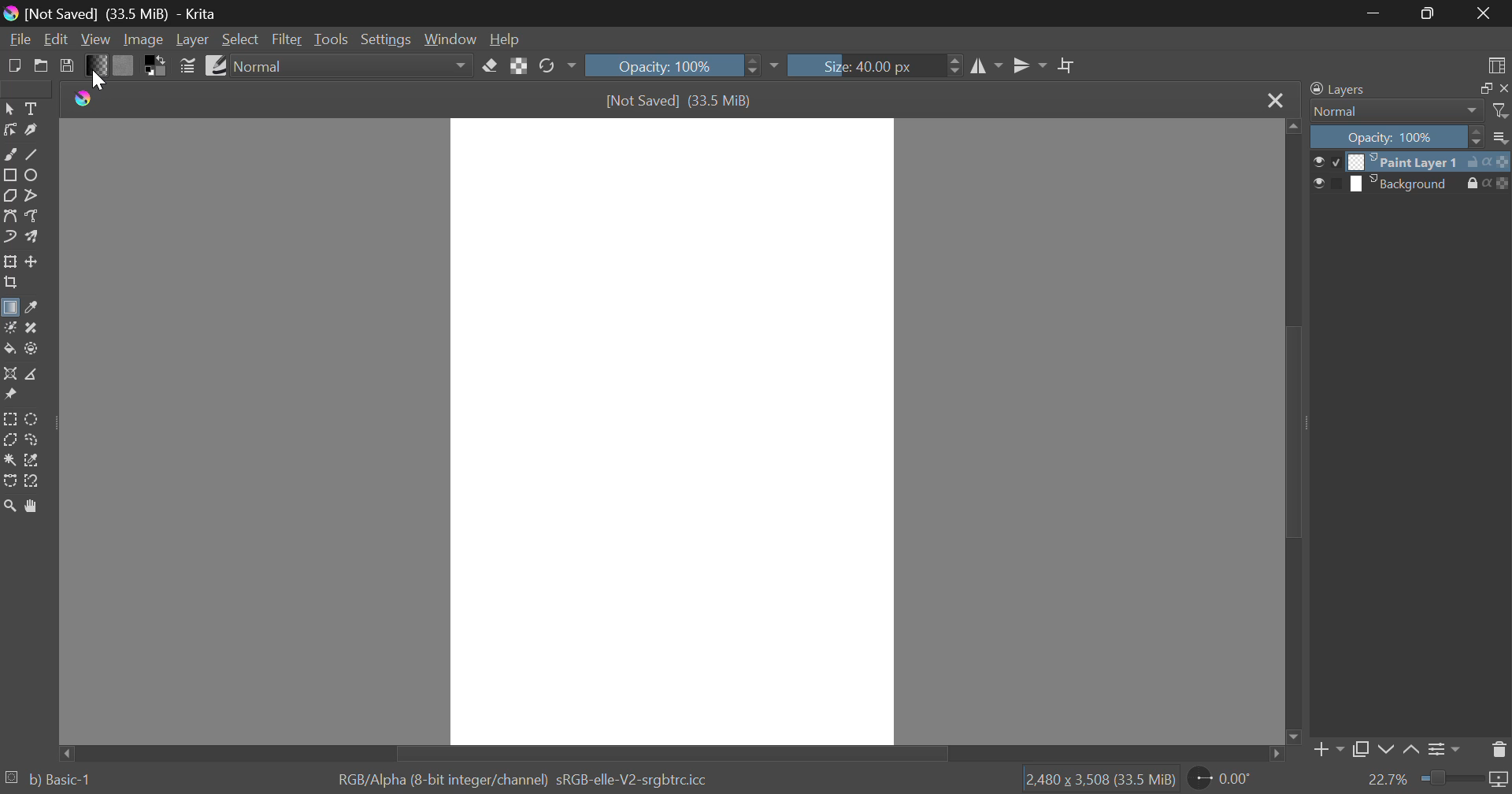 The height and width of the screenshot is (794, 1512). I want to click on Edit, so click(57, 39).